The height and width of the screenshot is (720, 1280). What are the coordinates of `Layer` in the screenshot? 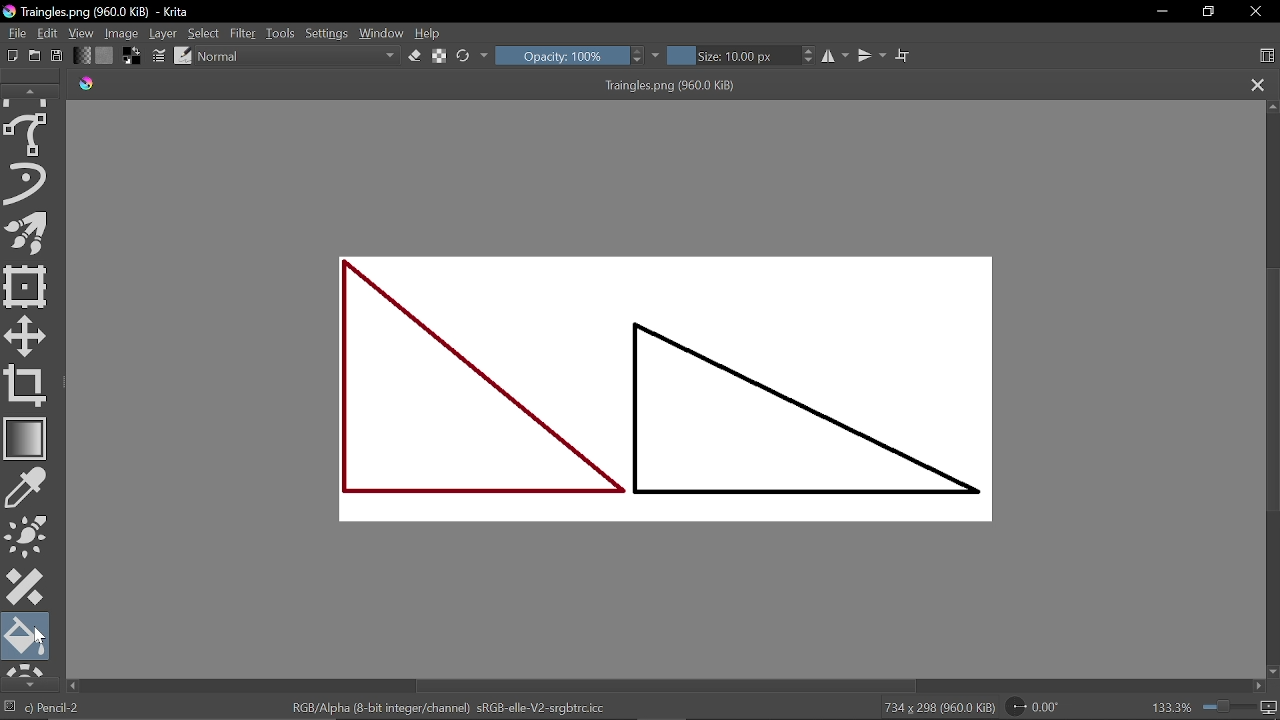 It's located at (164, 34).